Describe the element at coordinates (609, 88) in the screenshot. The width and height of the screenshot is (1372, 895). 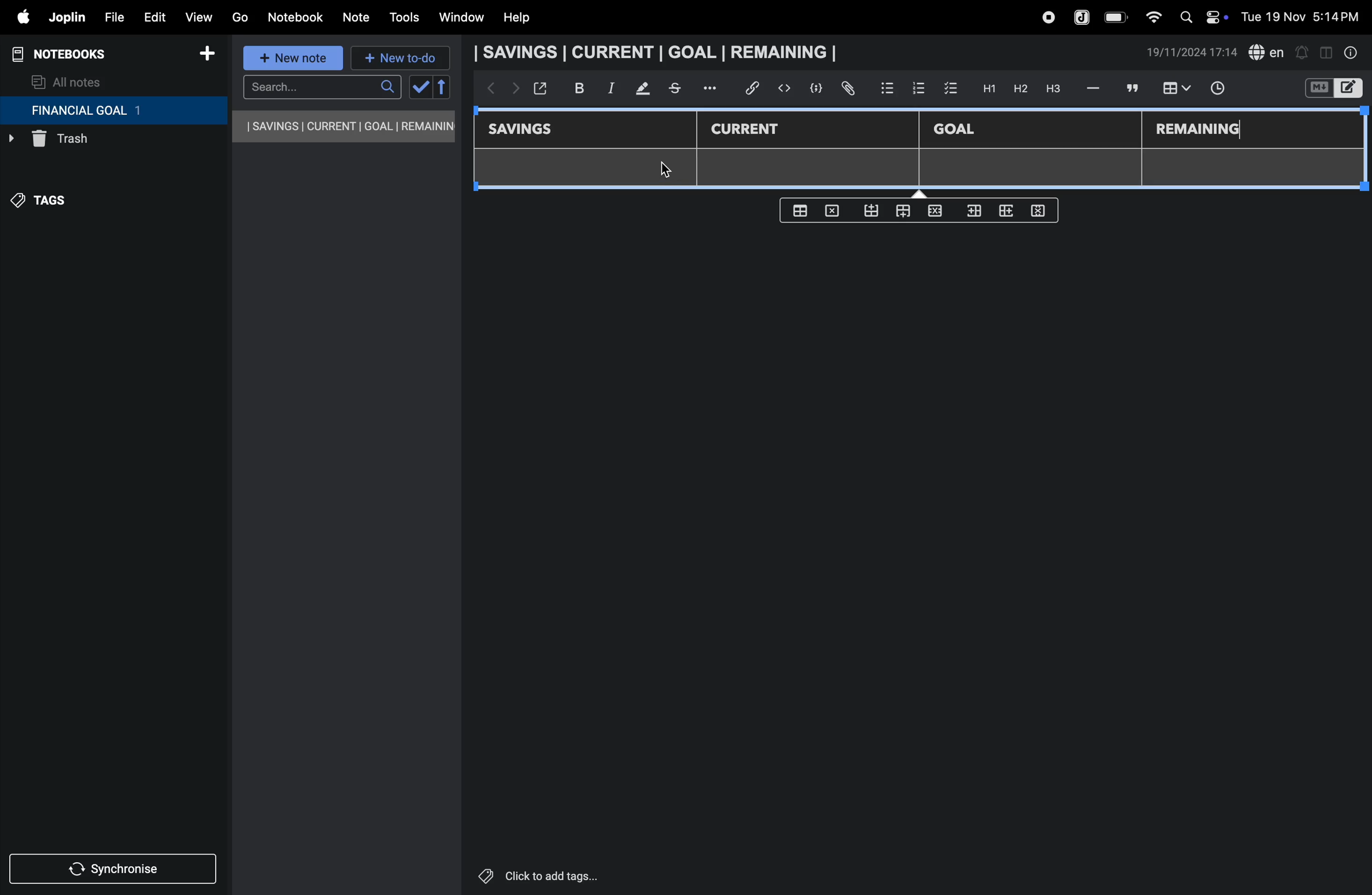
I see `itallic` at that location.